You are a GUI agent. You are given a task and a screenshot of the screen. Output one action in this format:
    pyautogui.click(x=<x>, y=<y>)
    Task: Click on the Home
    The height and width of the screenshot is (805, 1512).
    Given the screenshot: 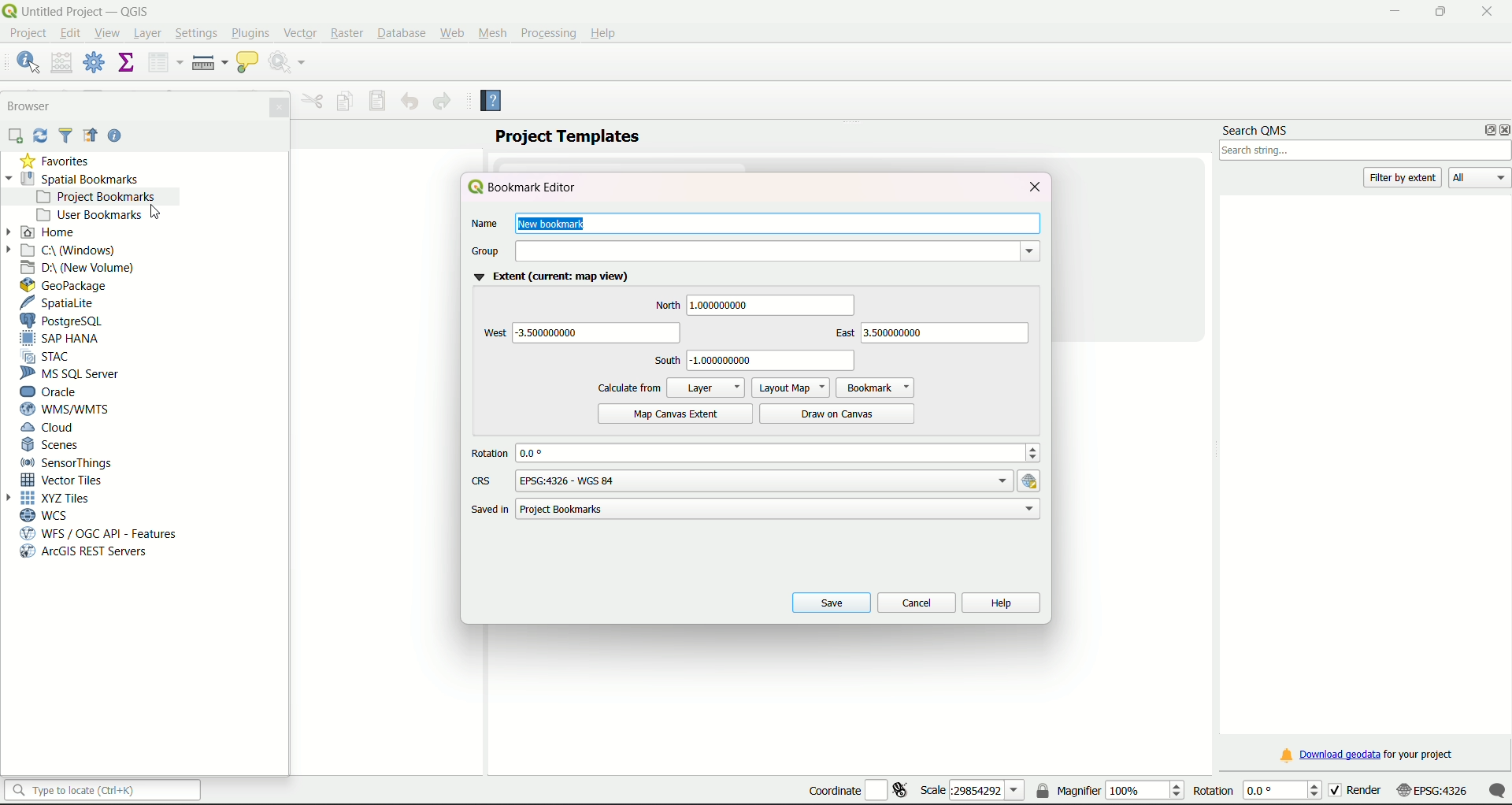 What is the action you would take?
    pyautogui.click(x=50, y=232)
    